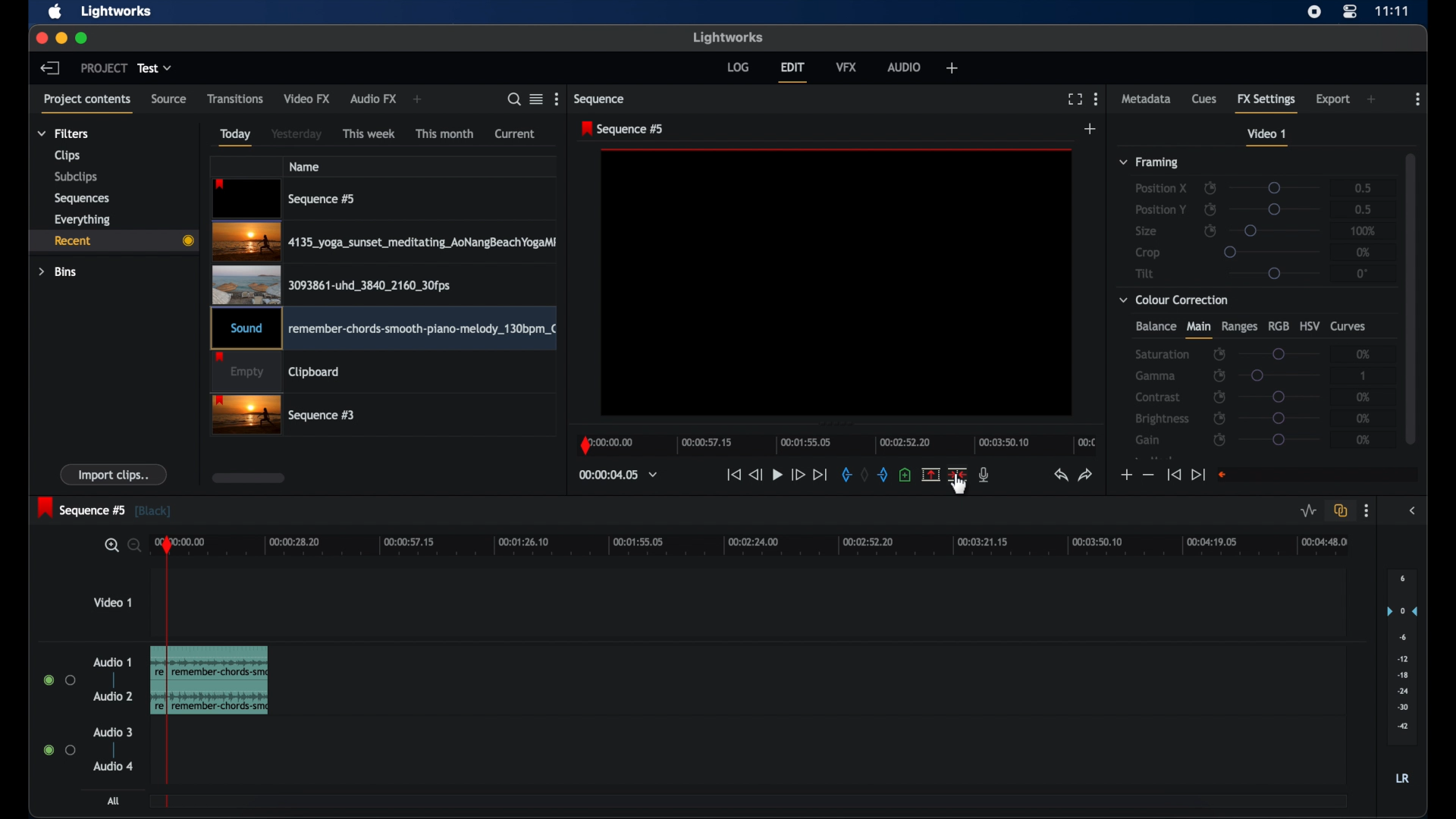 The image size is (1456, 819). I want to click on sequence 5, so click(105, 509).